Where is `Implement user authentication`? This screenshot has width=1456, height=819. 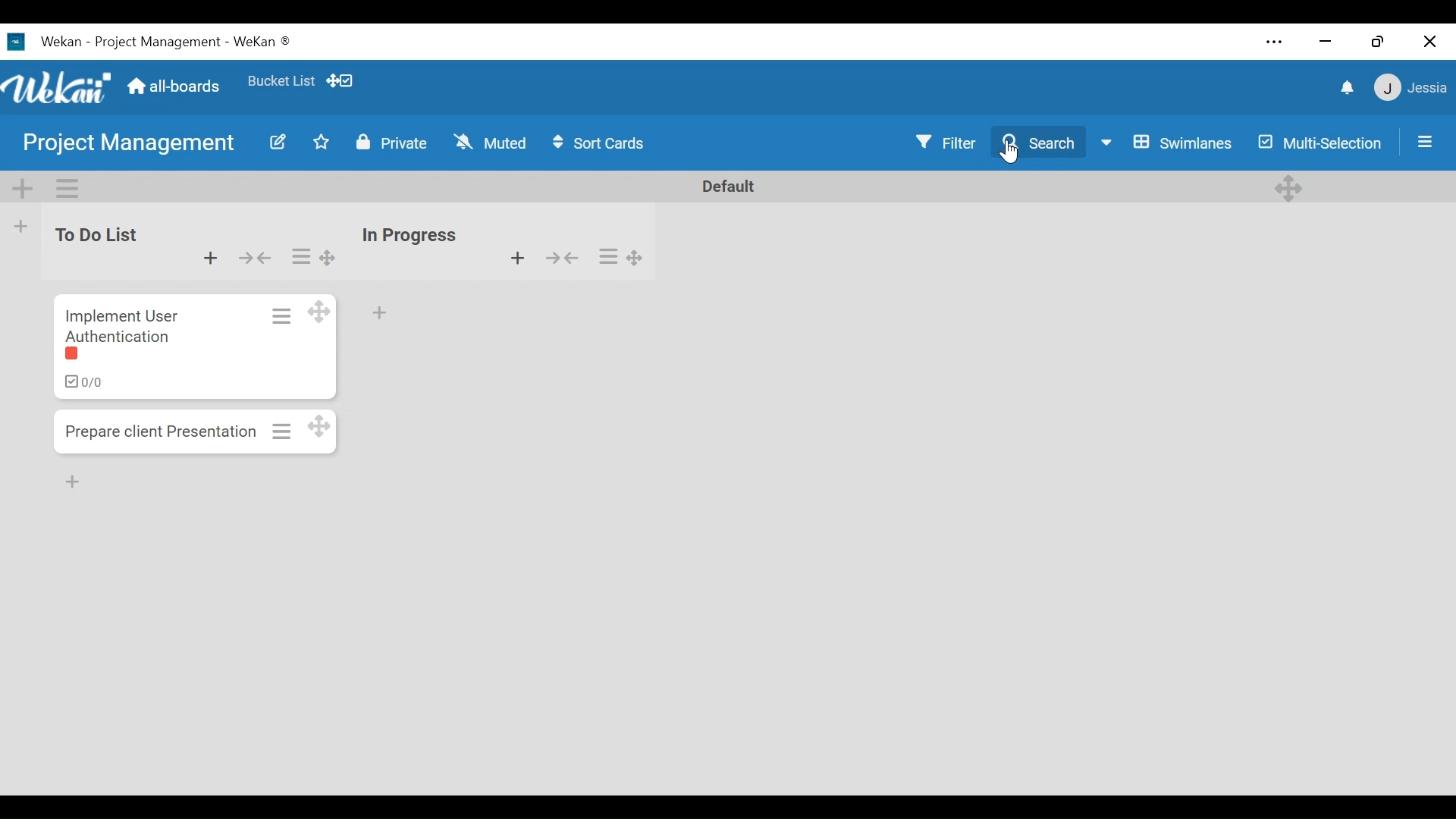
Implement user authentication is located at coordinates (125, 323).